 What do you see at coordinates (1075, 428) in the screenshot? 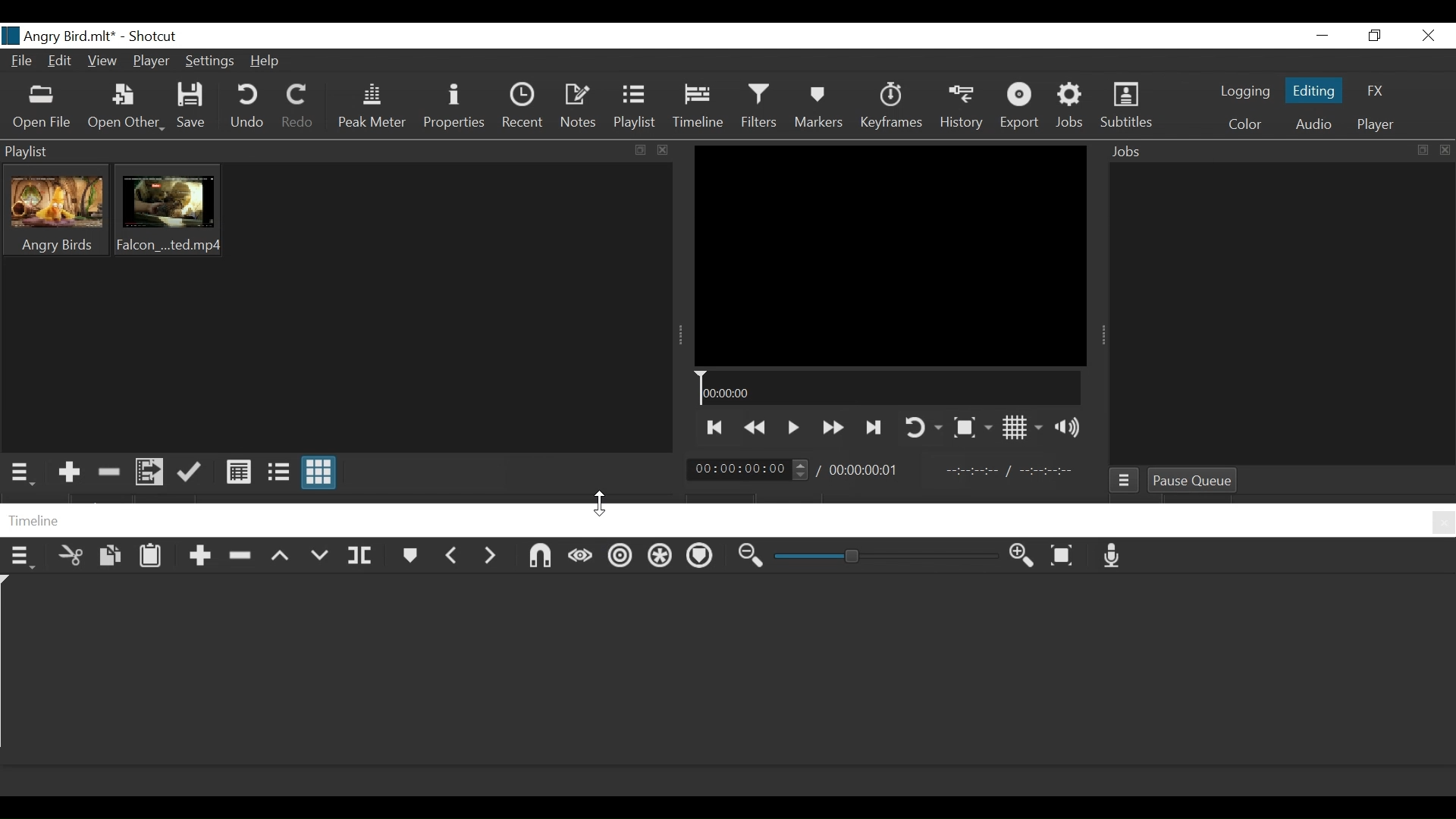
I see `Show volume control` at bounding box center [1075, 428].